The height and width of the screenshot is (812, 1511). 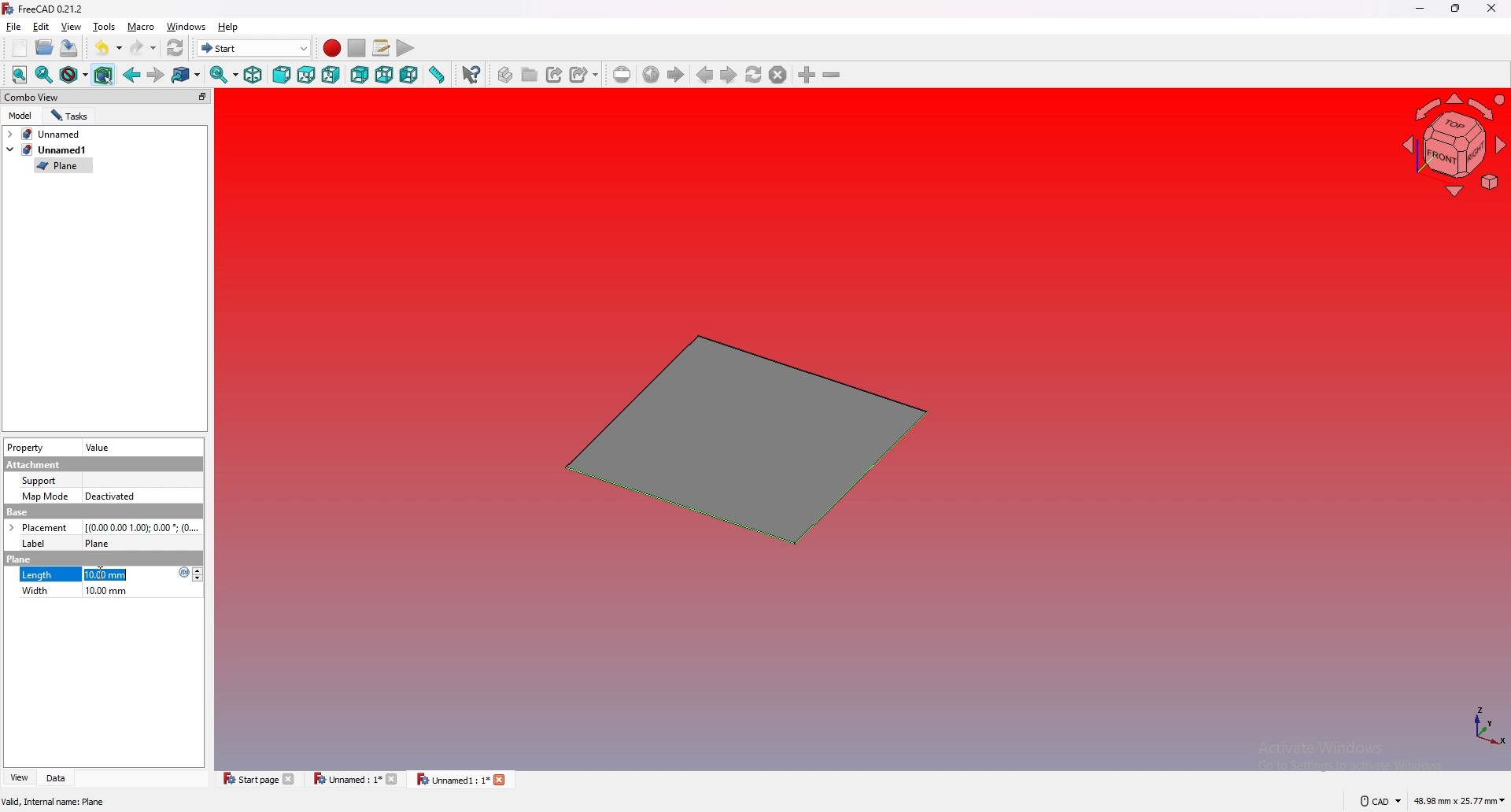 I want to click on draw style, so click(x=74, y=75).